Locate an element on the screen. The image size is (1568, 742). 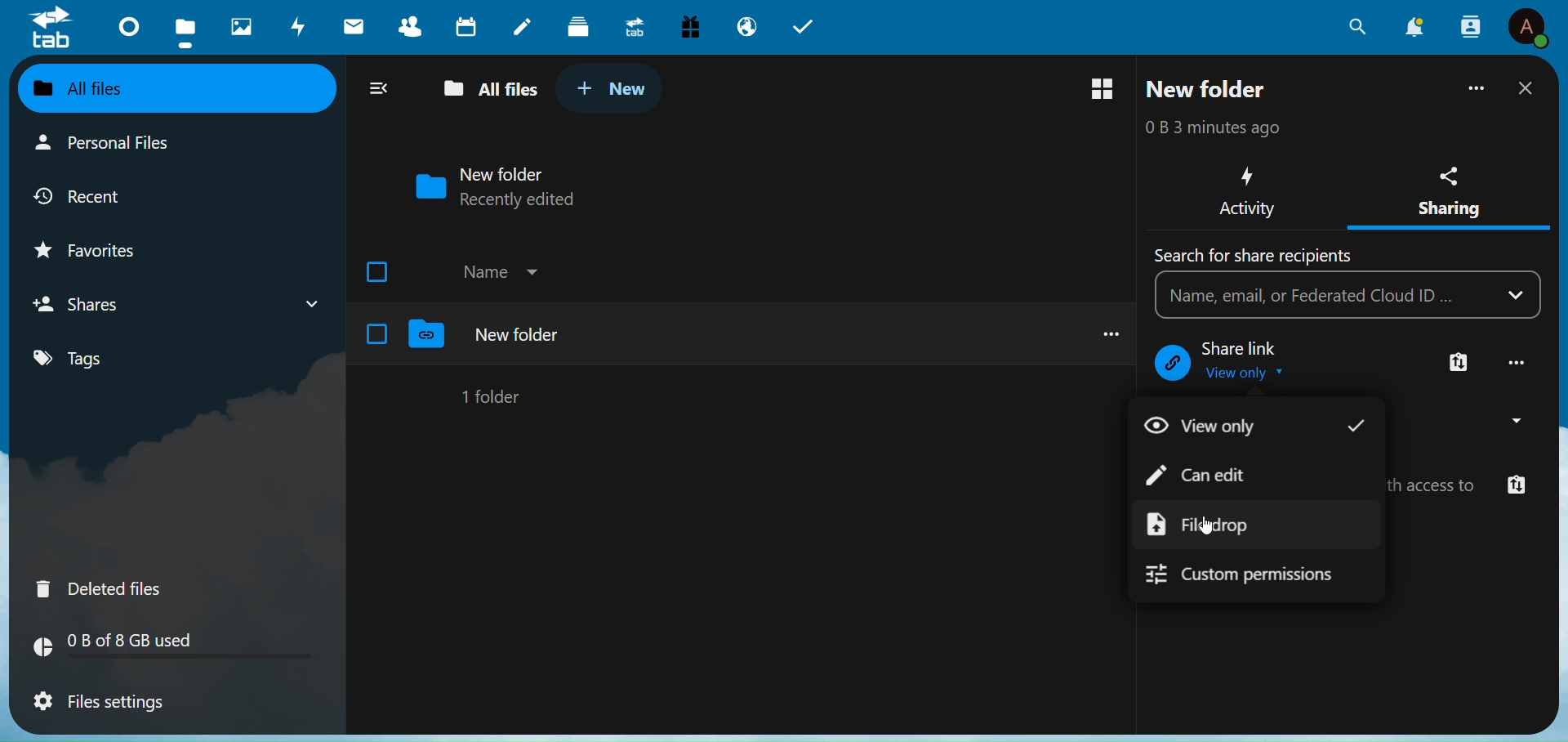
New Folder is located at coordinates (1209, 89).